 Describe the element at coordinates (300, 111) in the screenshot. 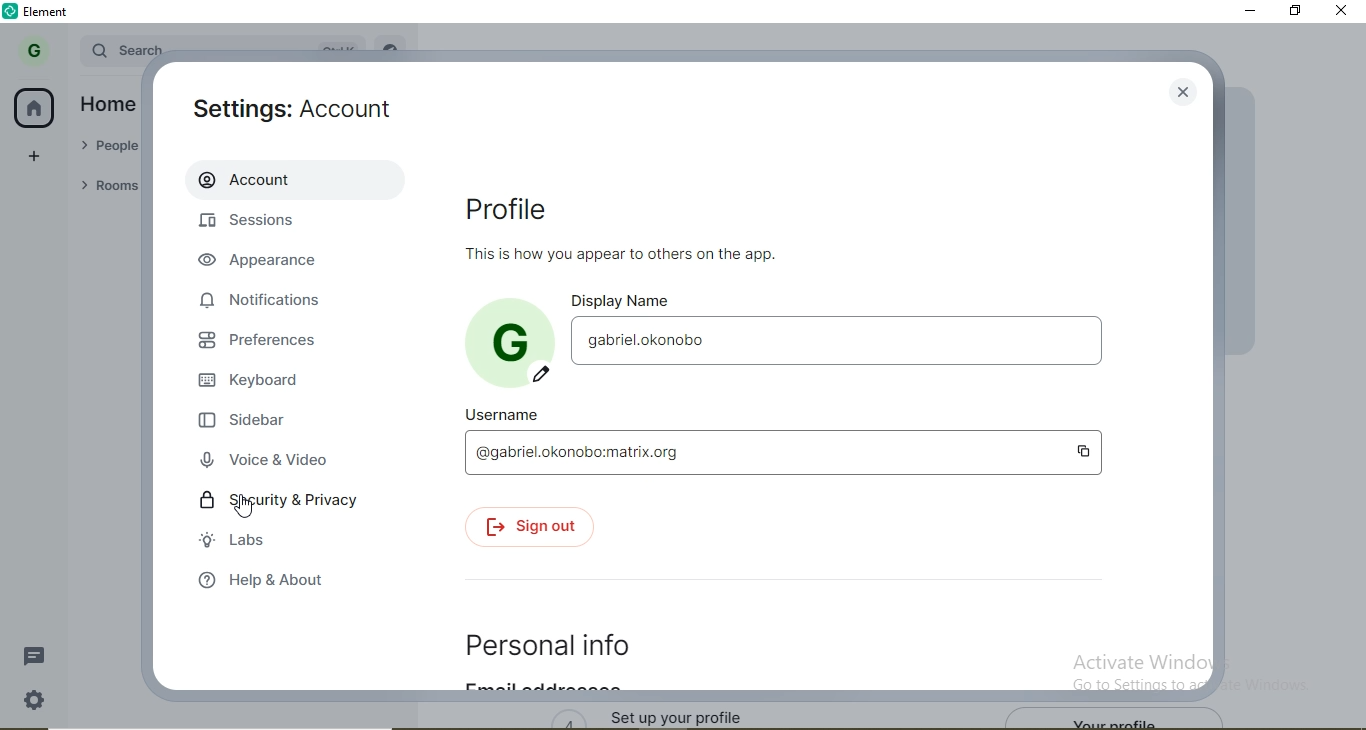

I see `Settings: Account` at that location.